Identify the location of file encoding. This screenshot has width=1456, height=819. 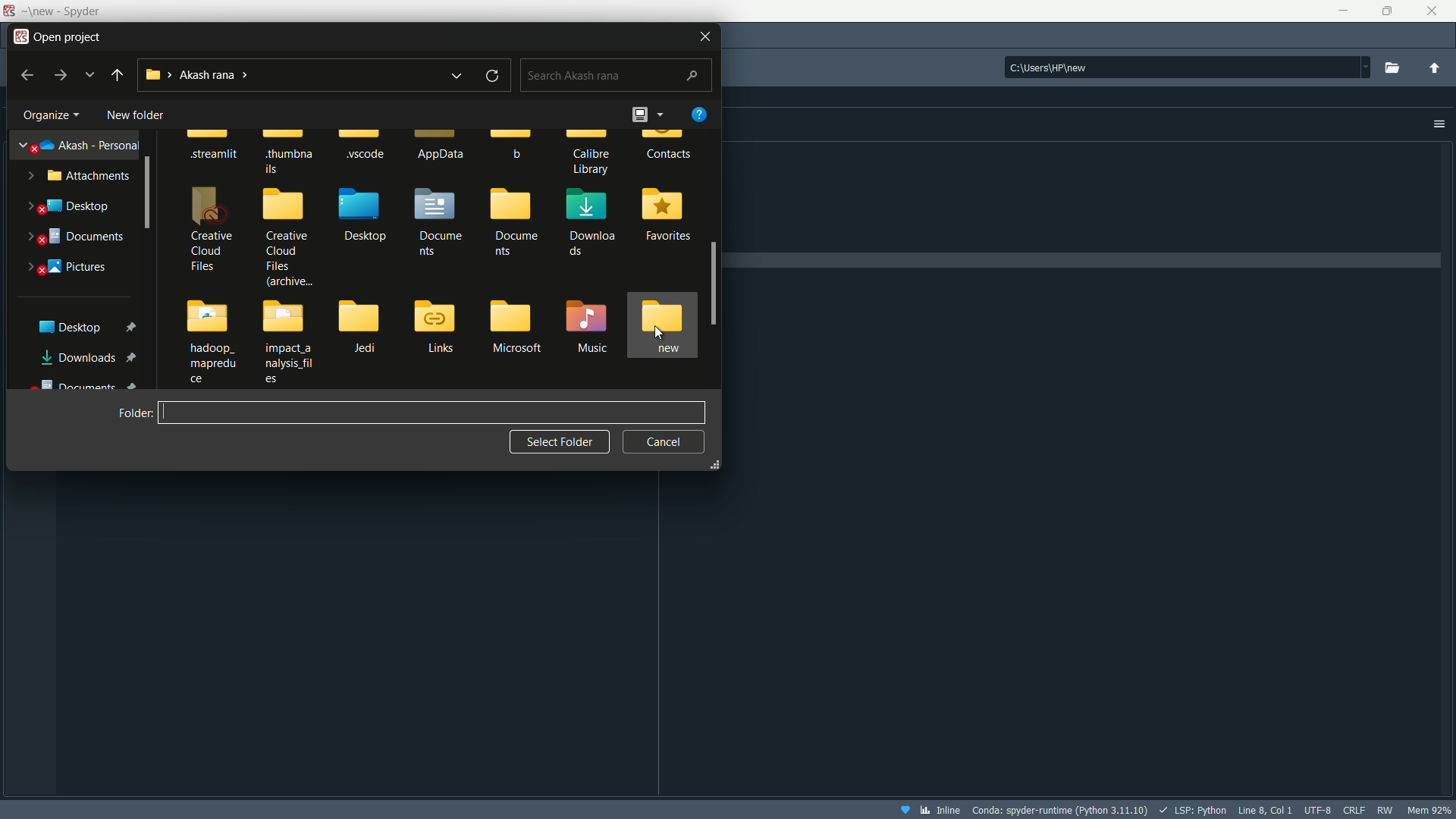
(1317, 808).